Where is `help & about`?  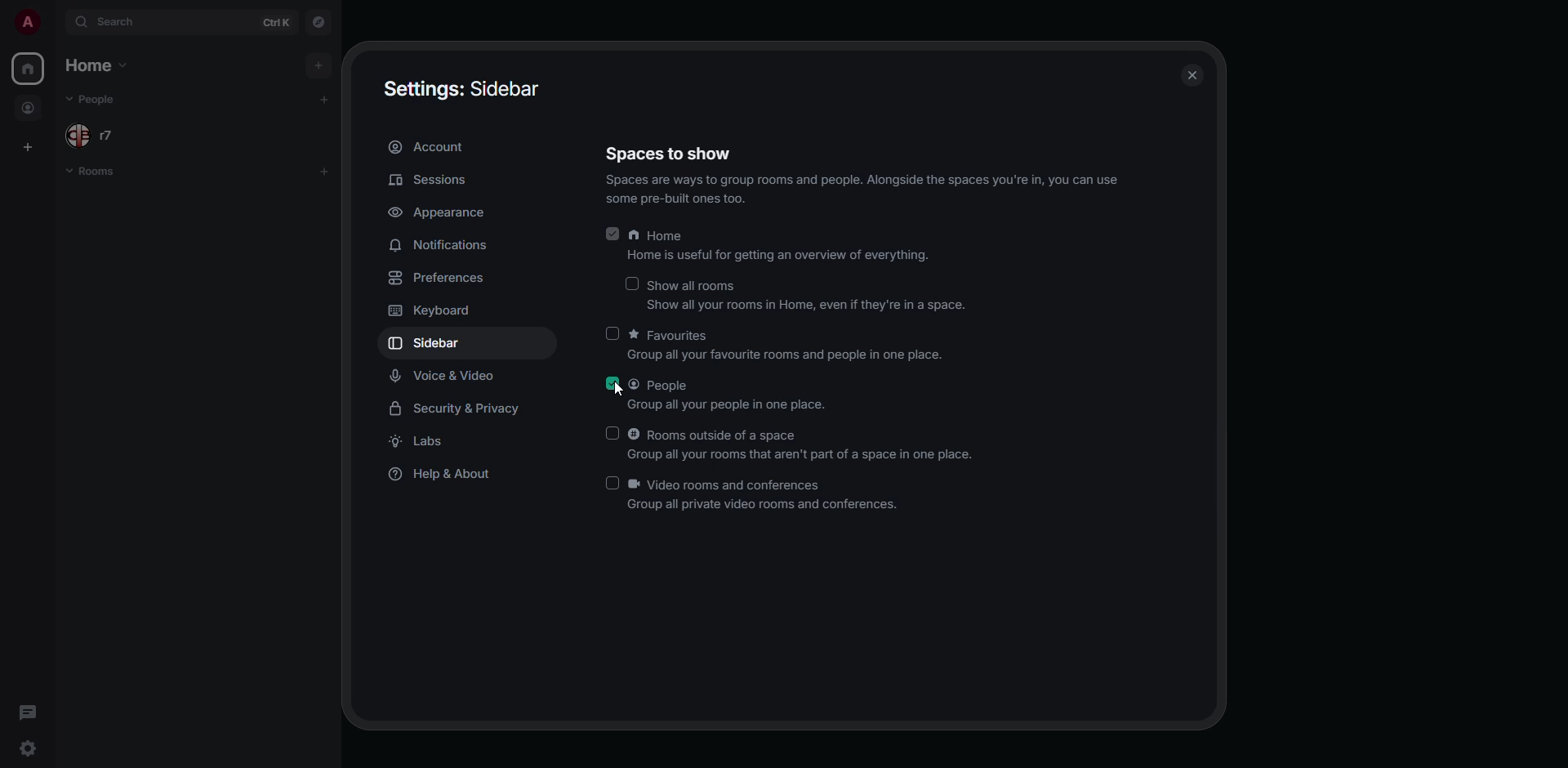
help & about is located at coordinates (446, 475).